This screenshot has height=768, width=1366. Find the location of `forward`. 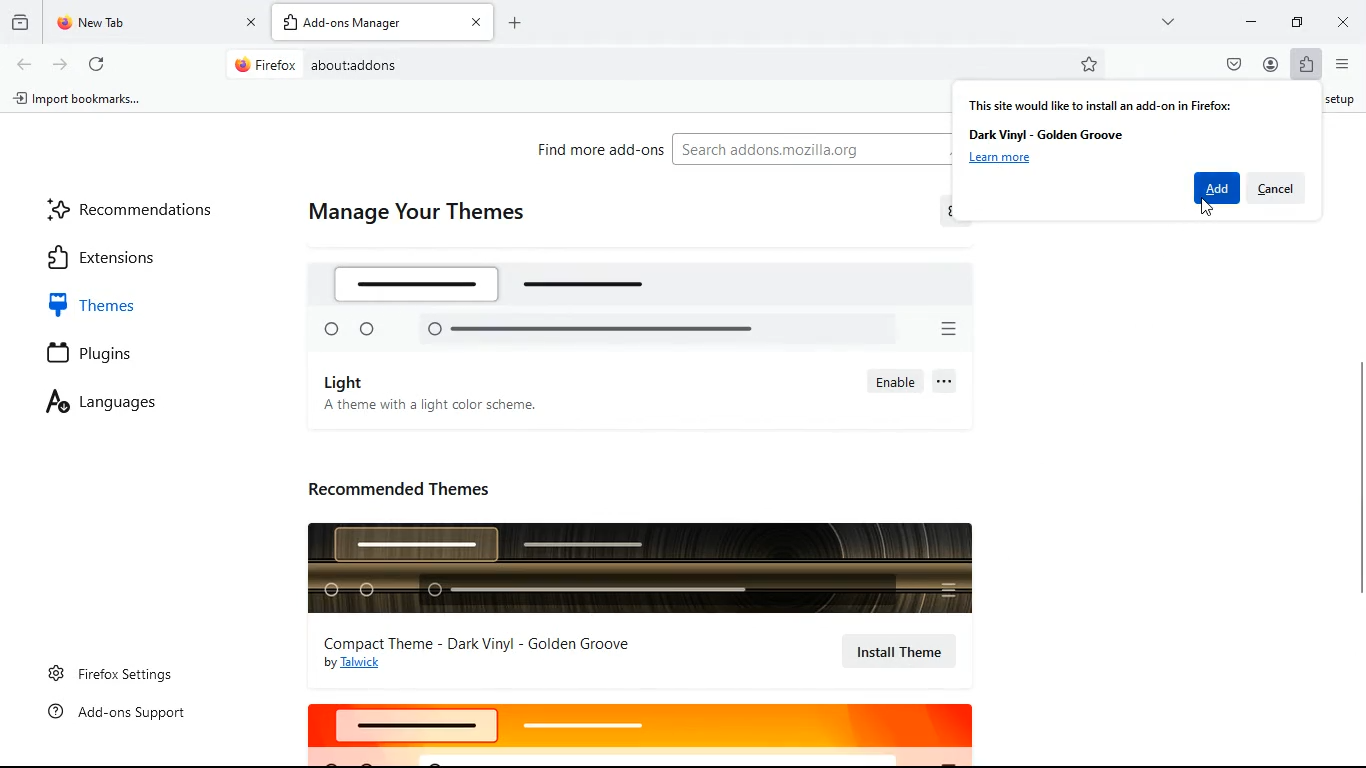

forward is located at coordinates (61, 66).